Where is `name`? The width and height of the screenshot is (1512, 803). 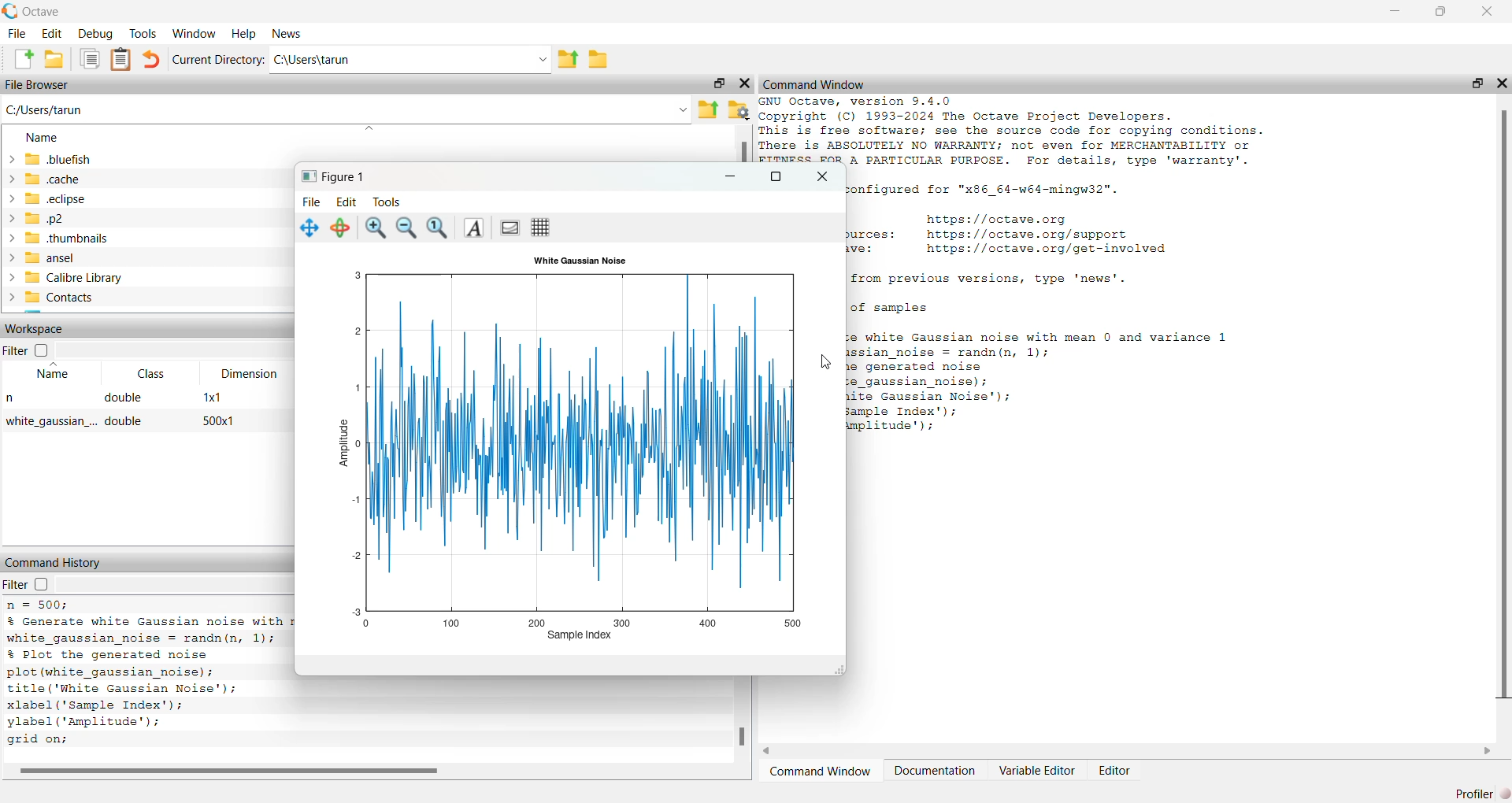 name is located at coordinates (49, 136).